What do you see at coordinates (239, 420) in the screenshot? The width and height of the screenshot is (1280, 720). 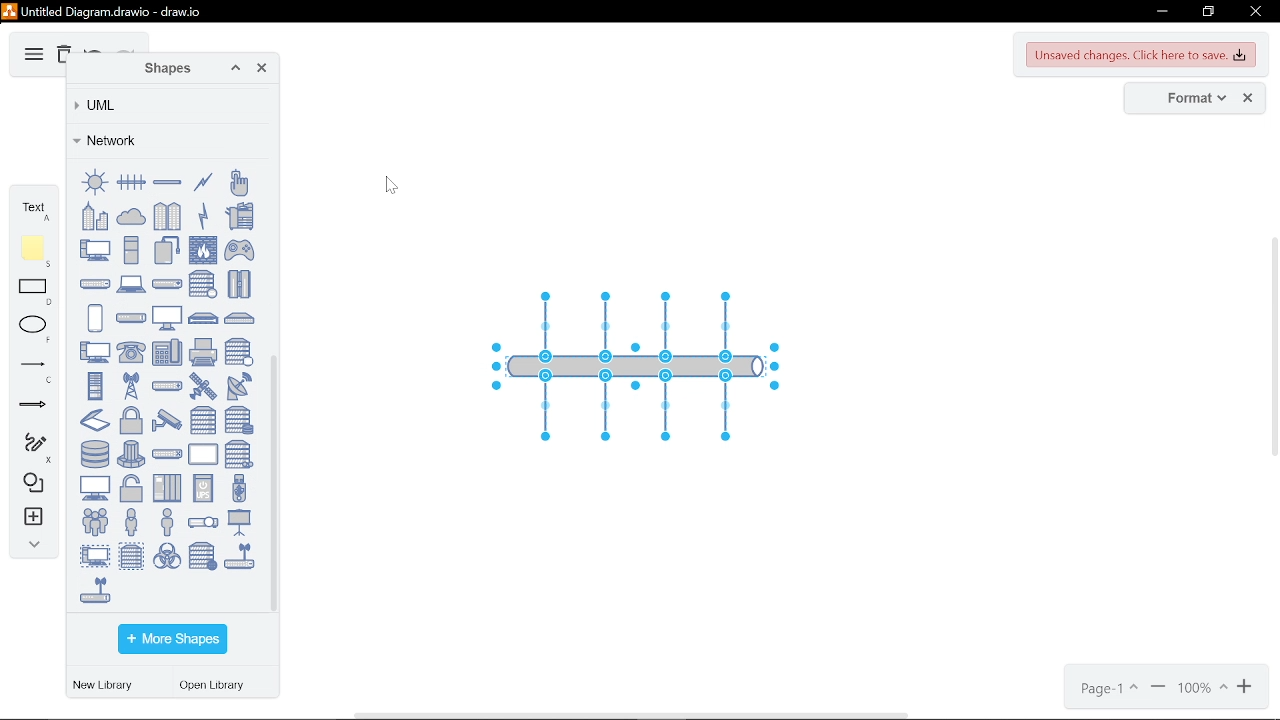 I see `server storage` at bounding box center [239, 420].